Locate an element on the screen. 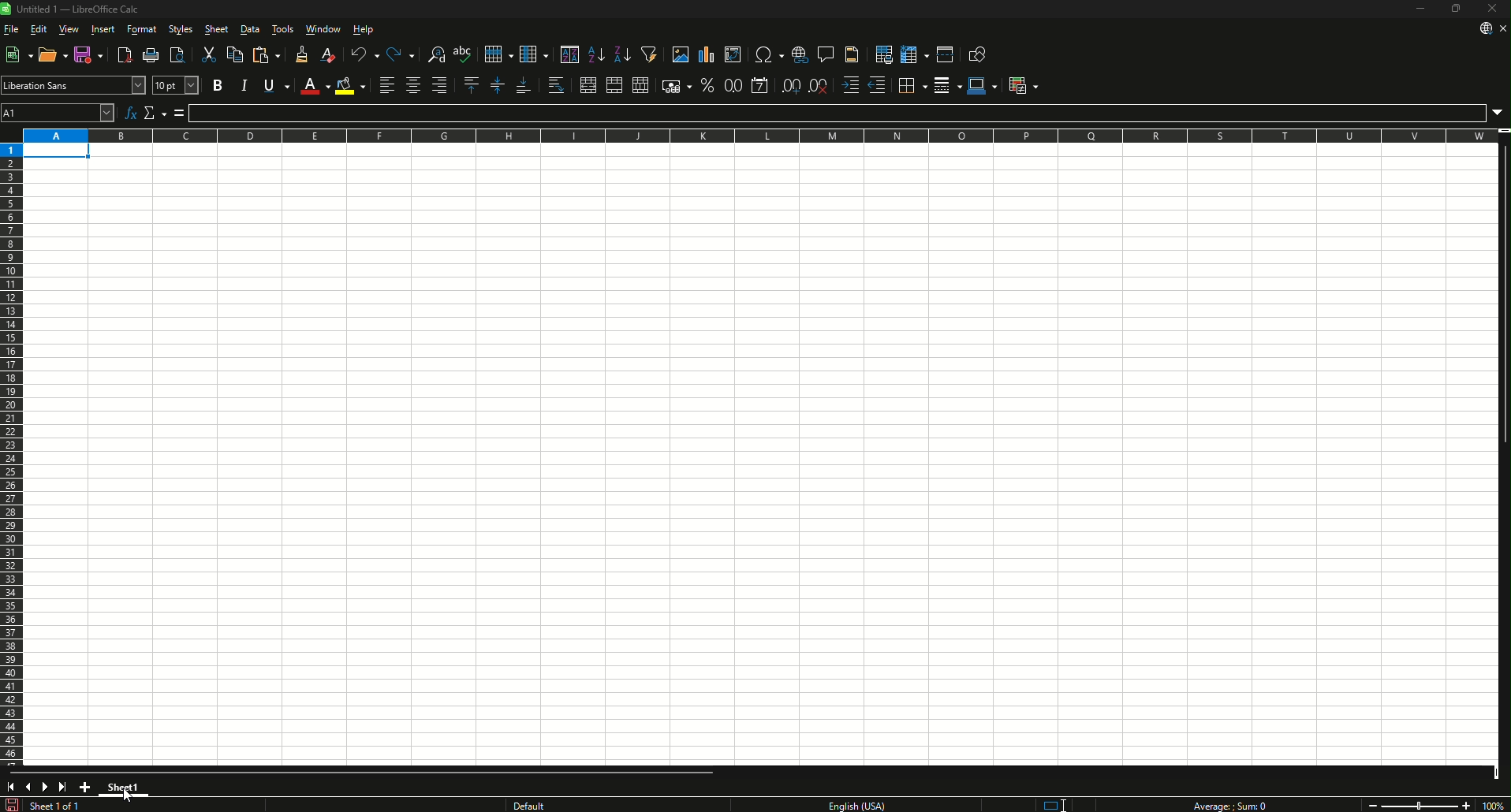 The image size is (1511, 812). Data is located at coordinates (249, 28).